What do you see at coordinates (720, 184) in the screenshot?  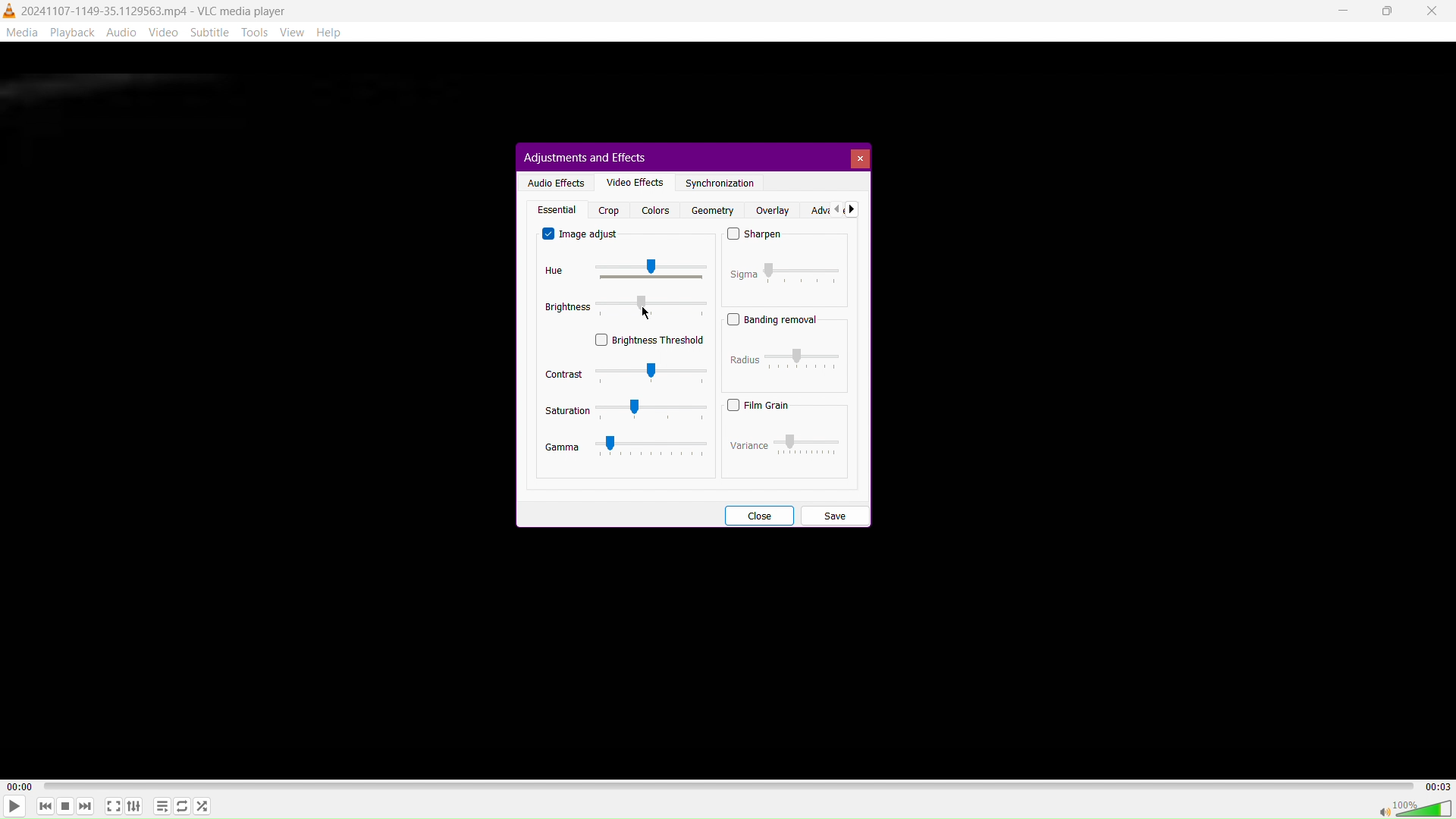 I see `Synchronization` at bounding box center [720, 184].